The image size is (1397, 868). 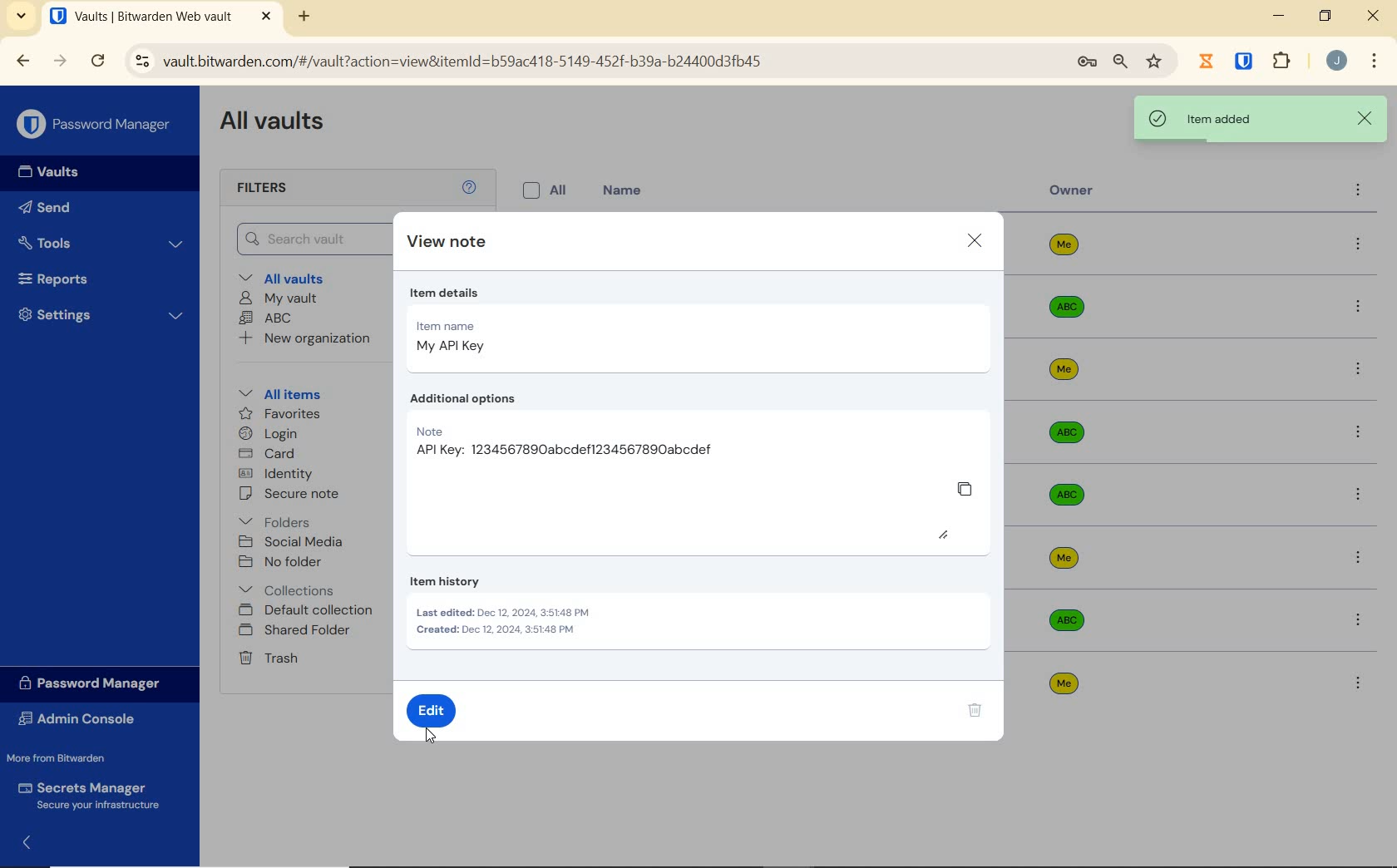 What do you see at coordinates (1208, 61) in the screenshot?
I see `Jibril Extension` at bounding box center [1208, 61].